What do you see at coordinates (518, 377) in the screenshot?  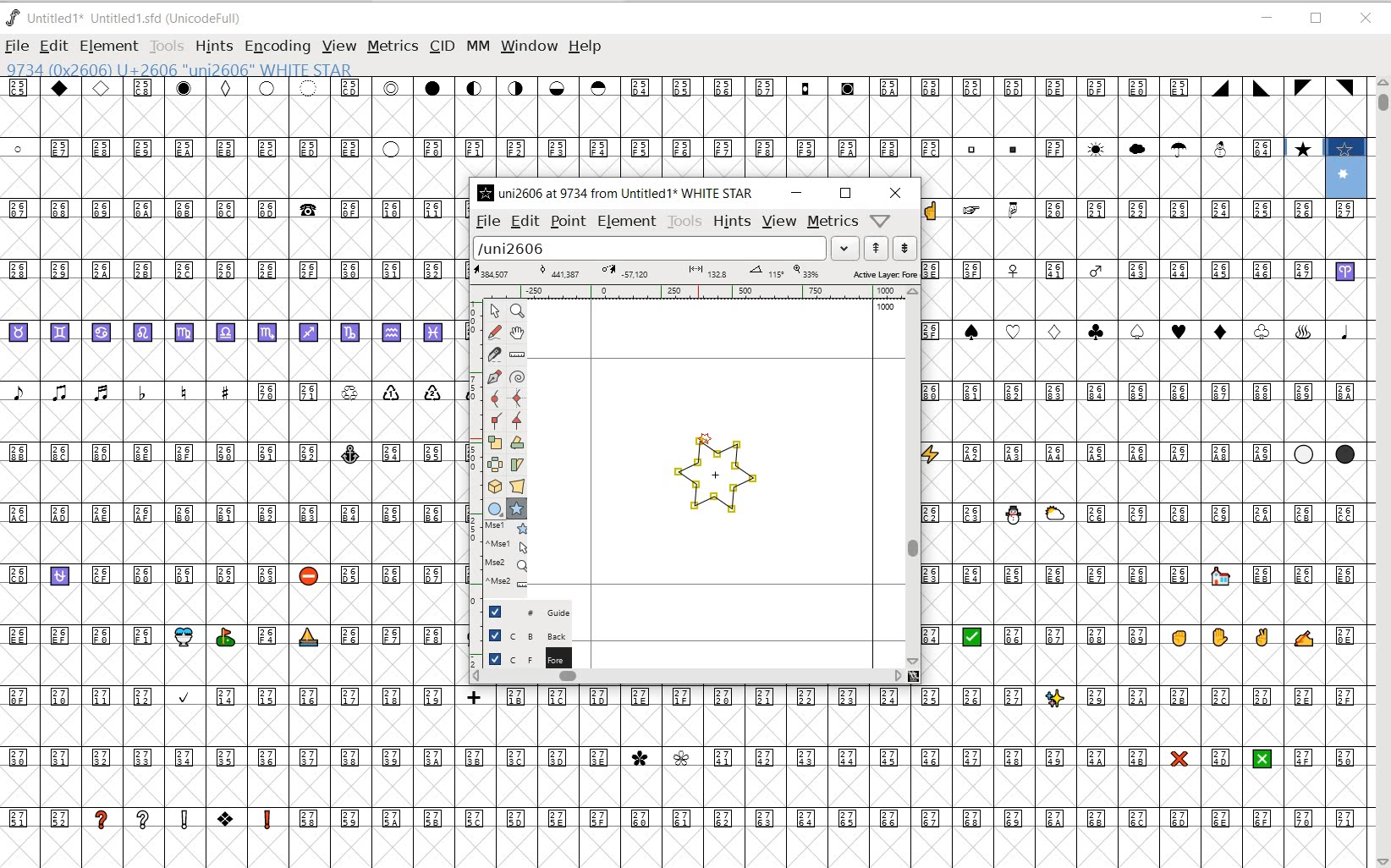 I see `SPIRO` at bounding box center [518, 377].